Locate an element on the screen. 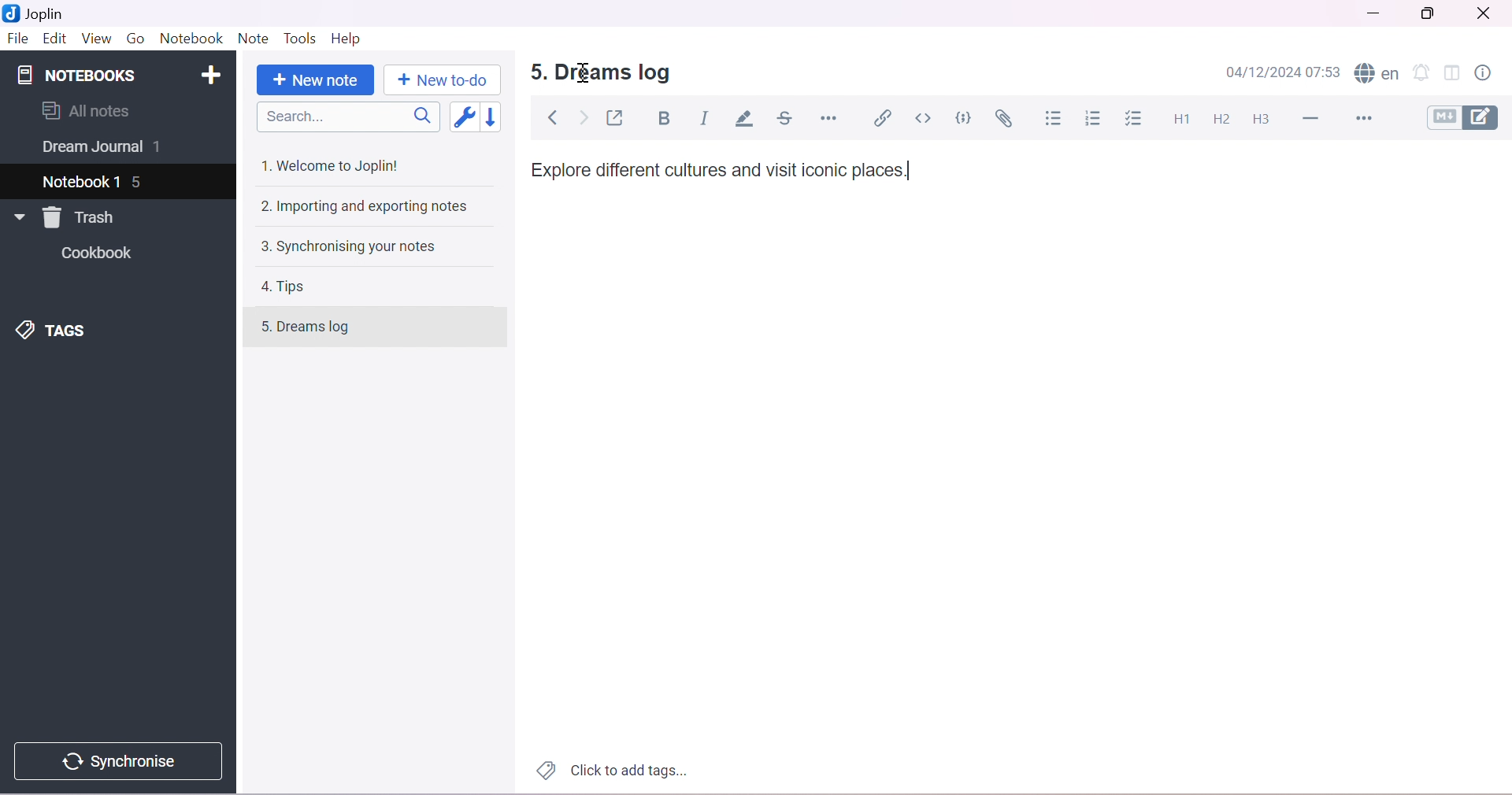 The width and height of the screenshot is (1512, 795). Numbered list is located at coordinates (1094, 120).